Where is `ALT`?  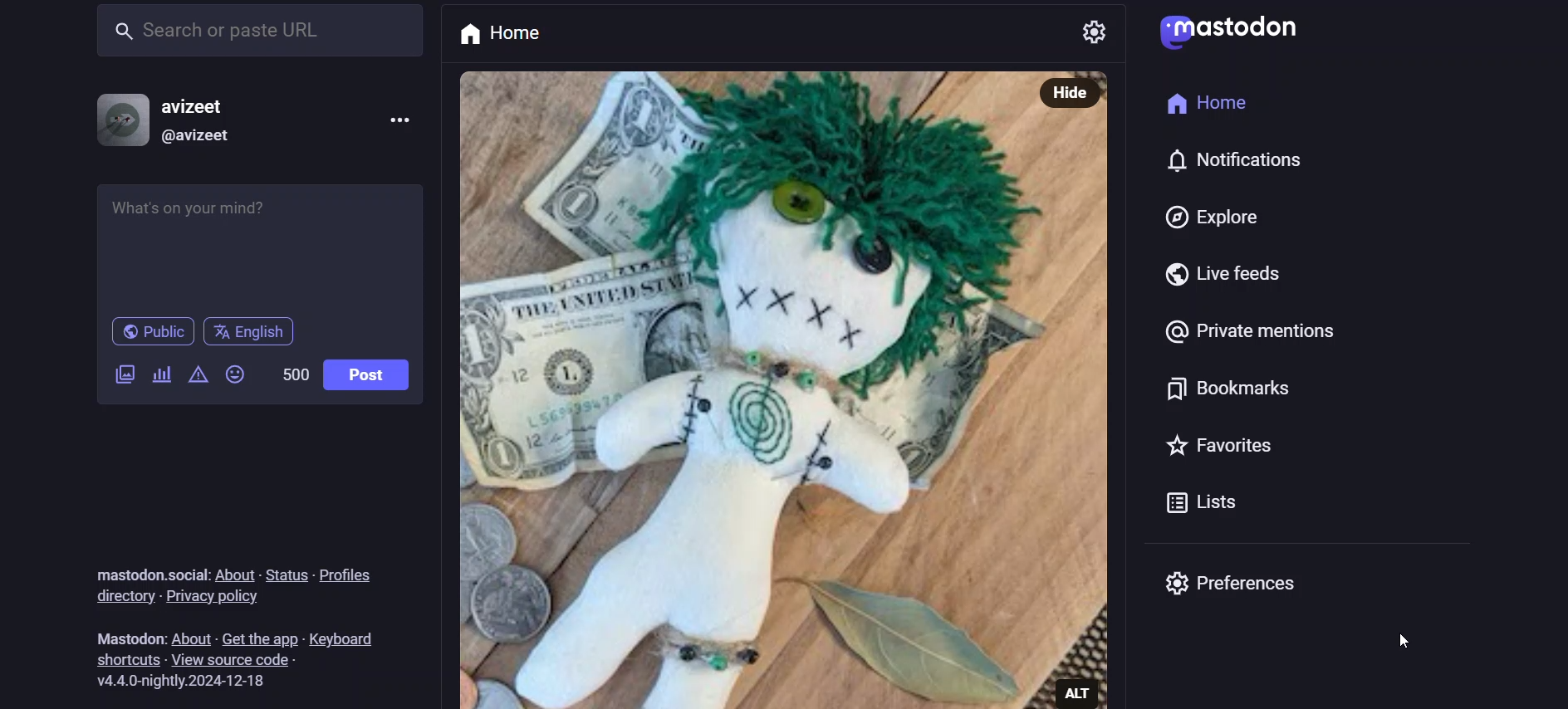
ALT is located at coordinates (1076, 692).